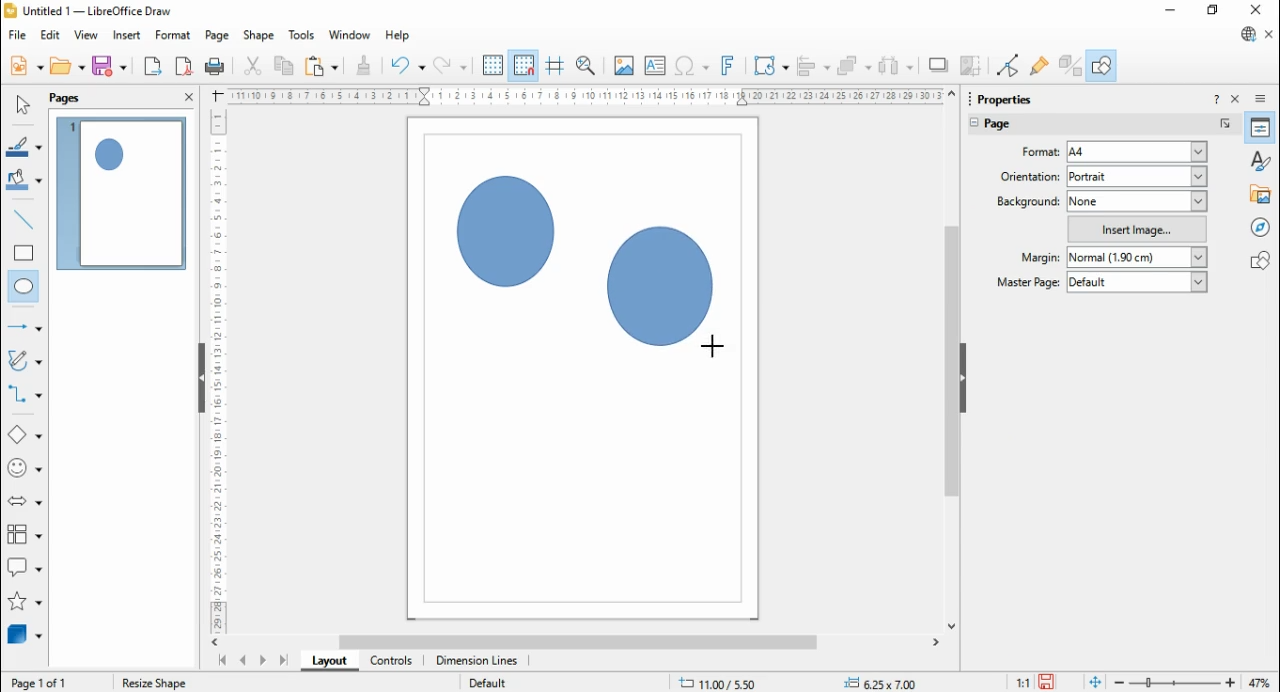  Describe the element at coordinates (1138, 228) in the screenshot. I see `insert image` at that location.